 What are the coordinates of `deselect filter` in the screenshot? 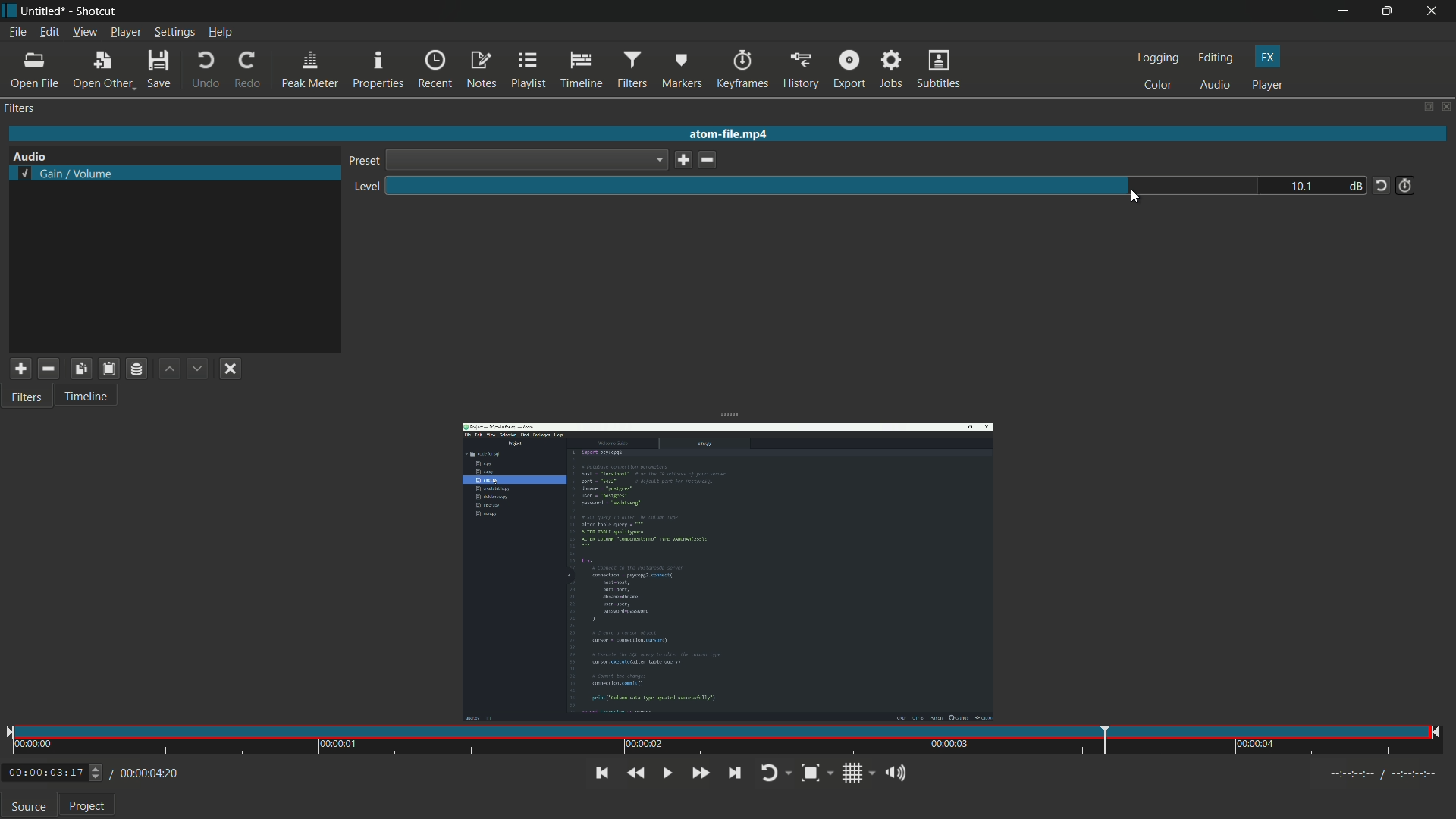 It's located at (231, 369).